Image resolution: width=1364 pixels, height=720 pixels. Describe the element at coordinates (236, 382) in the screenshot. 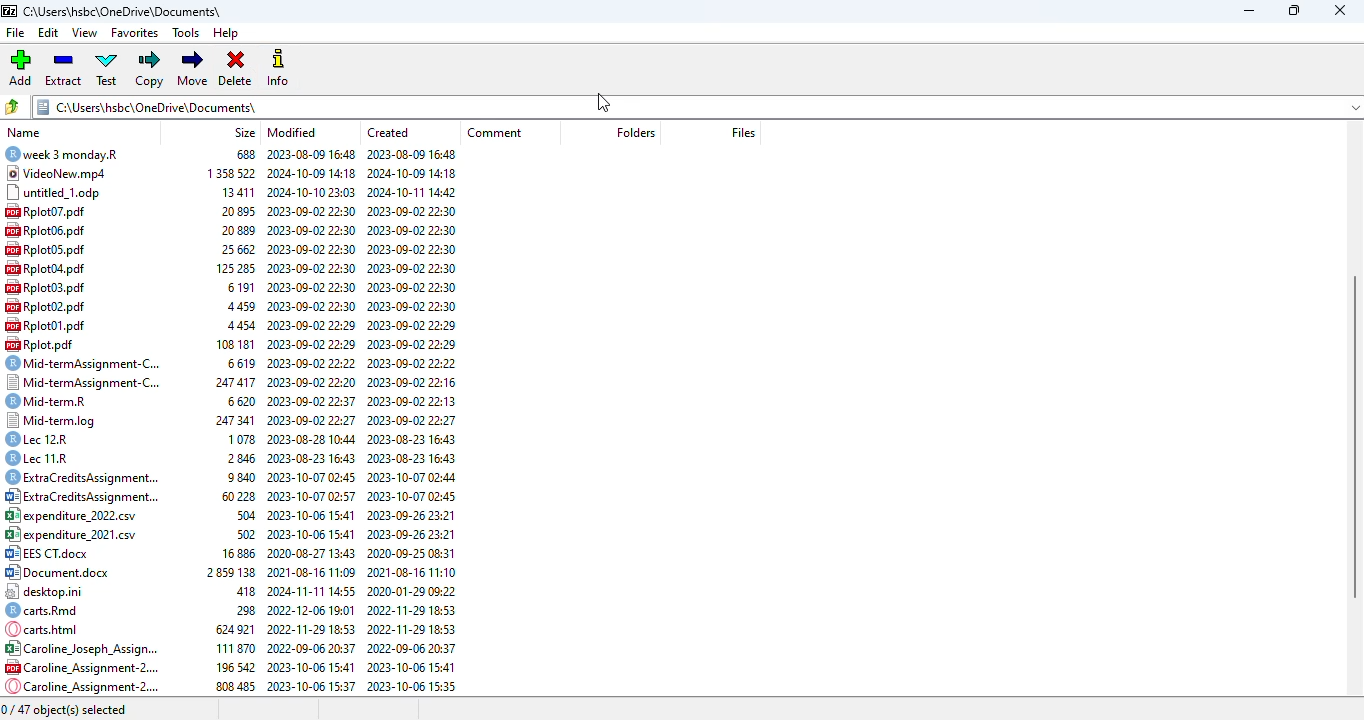

I see `247 341` at that location.